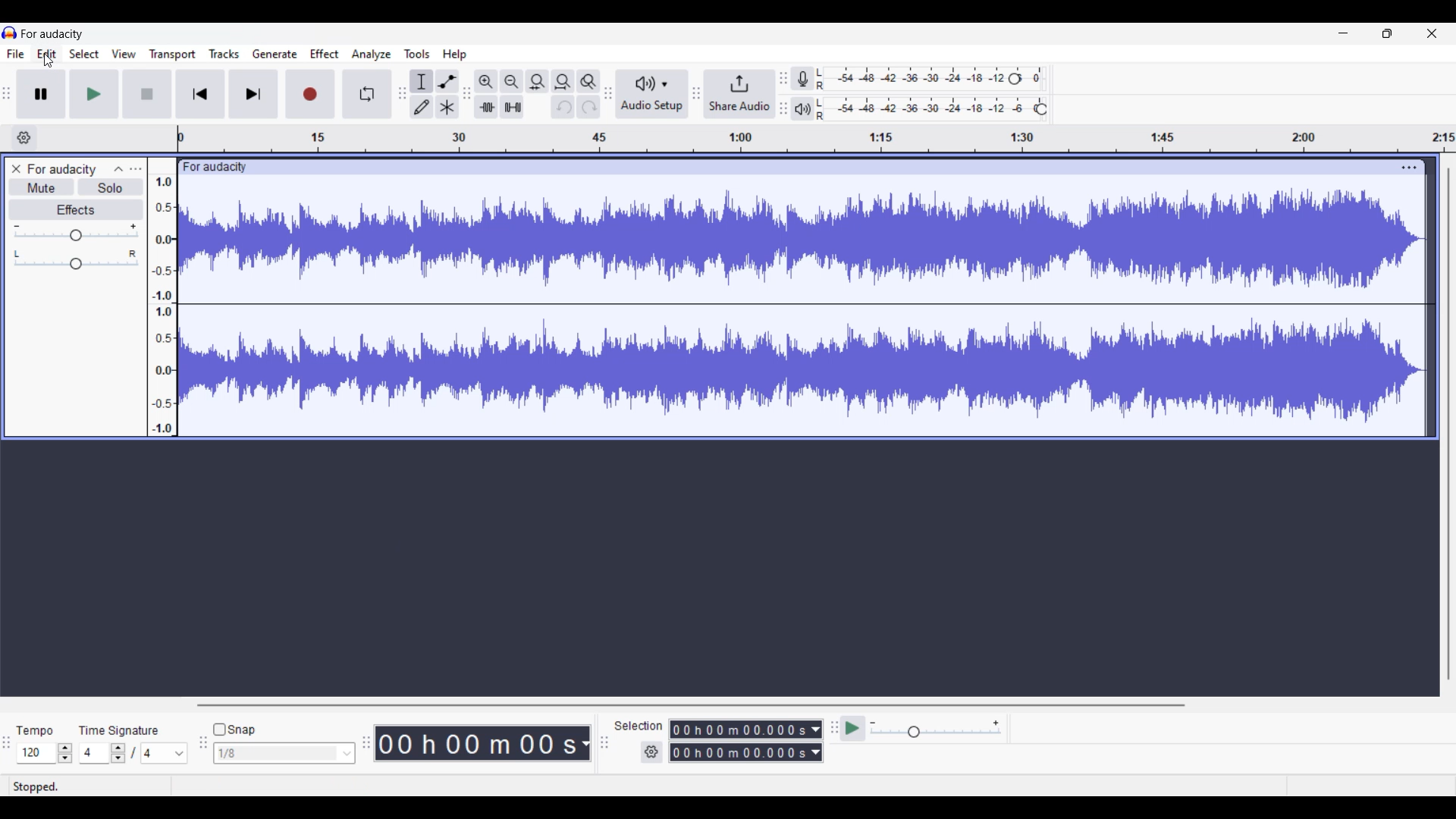  What do you see at coordinates (817, 138) in the screenshot?
I see `Scale to measure length of track` at bounding box center [817, 138].